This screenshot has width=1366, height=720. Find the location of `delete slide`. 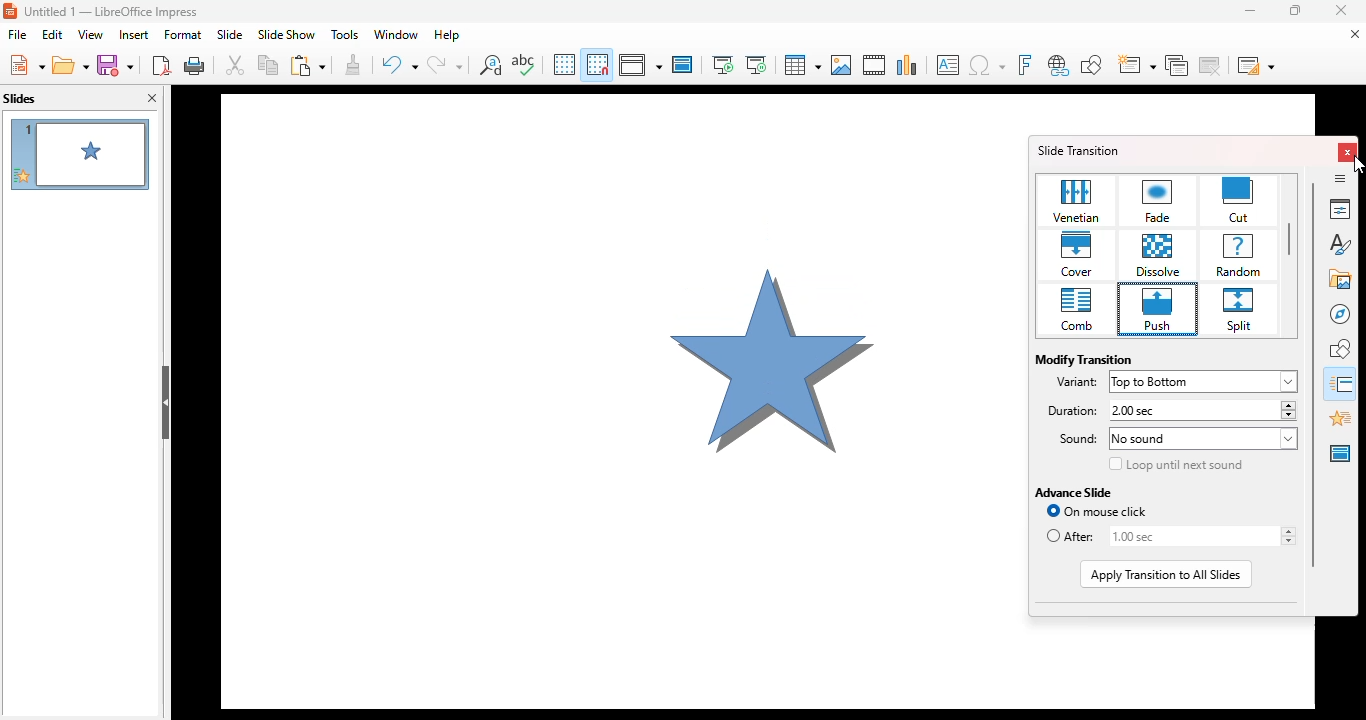

delete slide is located at coordinates (1211, 65).